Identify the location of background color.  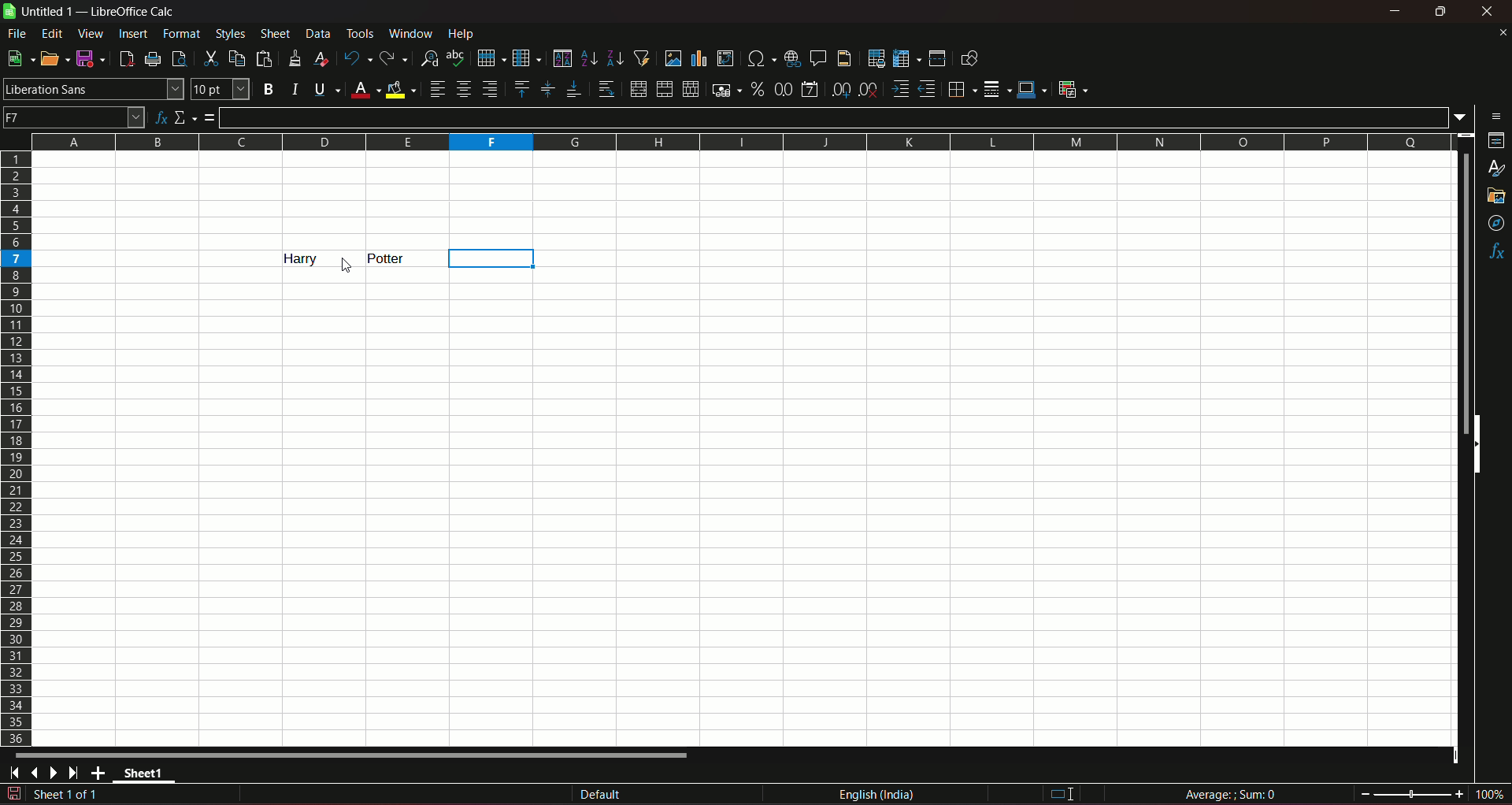
(402, 89).